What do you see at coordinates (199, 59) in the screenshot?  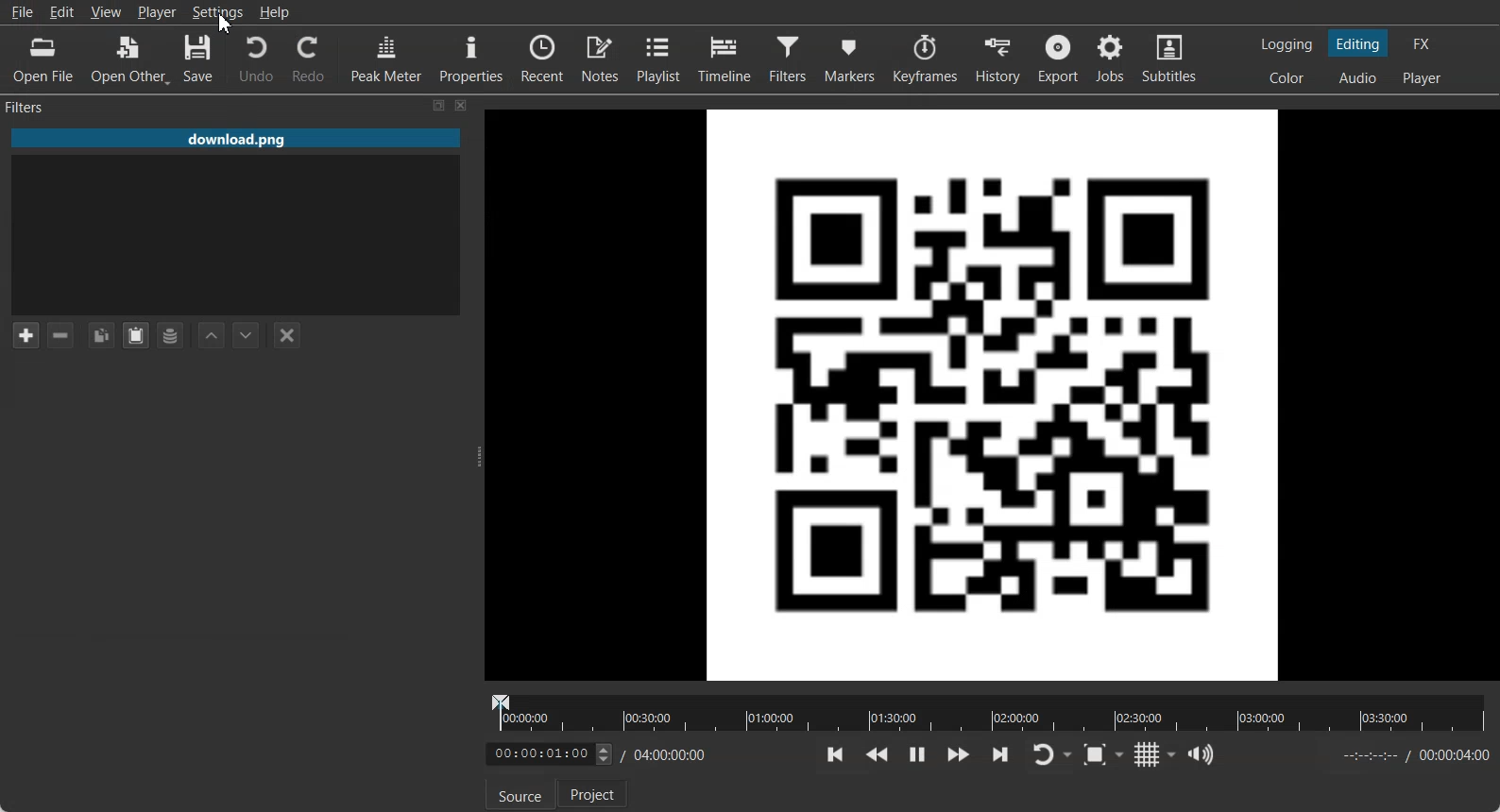 I see `Save` at bounding box center [199, 59].